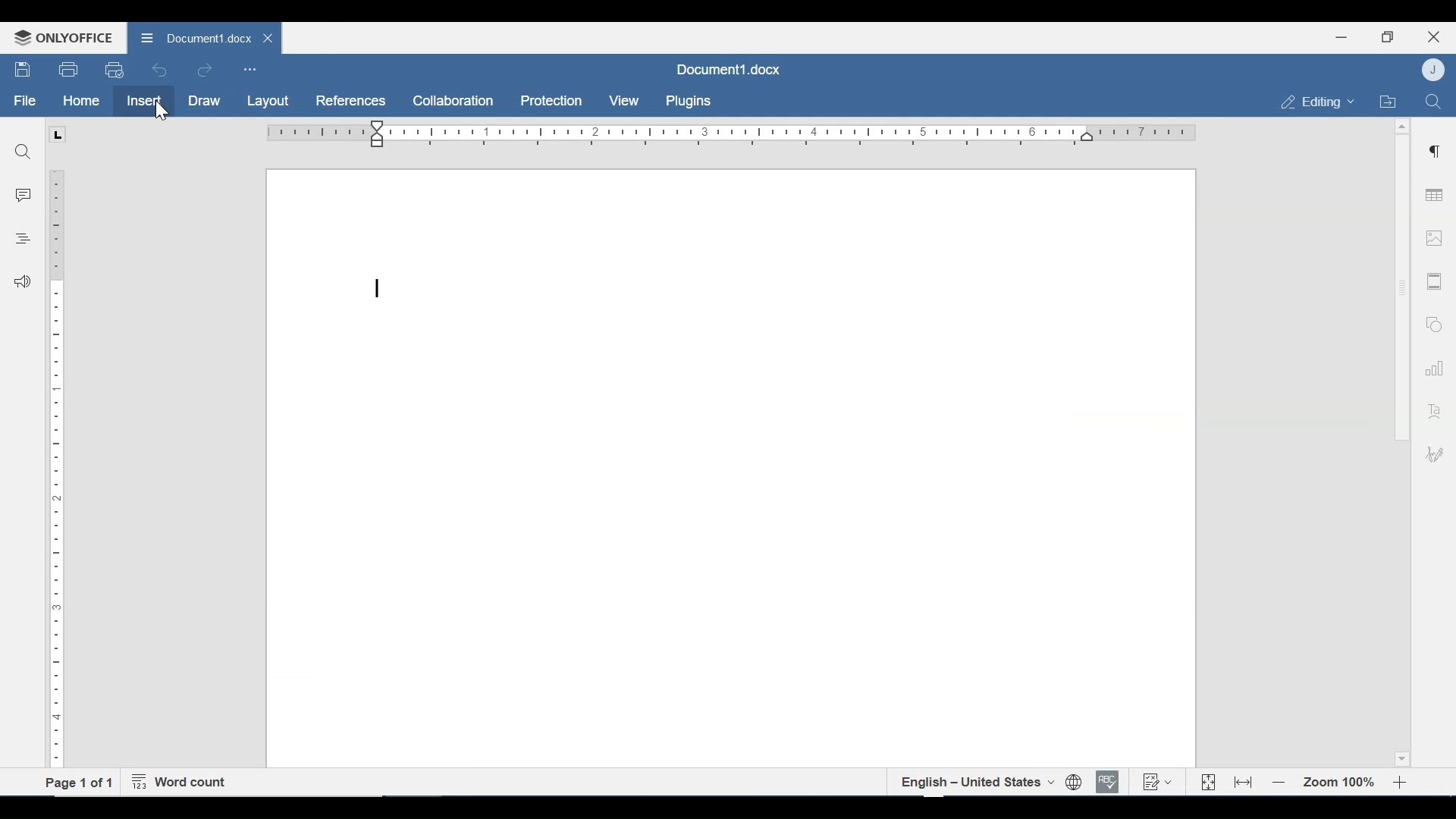 The height and width of the screenshot is (819, 1456). Describe the element at coordinates (57, 460) in the screenshot. I see `Vertical Ruler` at that location.